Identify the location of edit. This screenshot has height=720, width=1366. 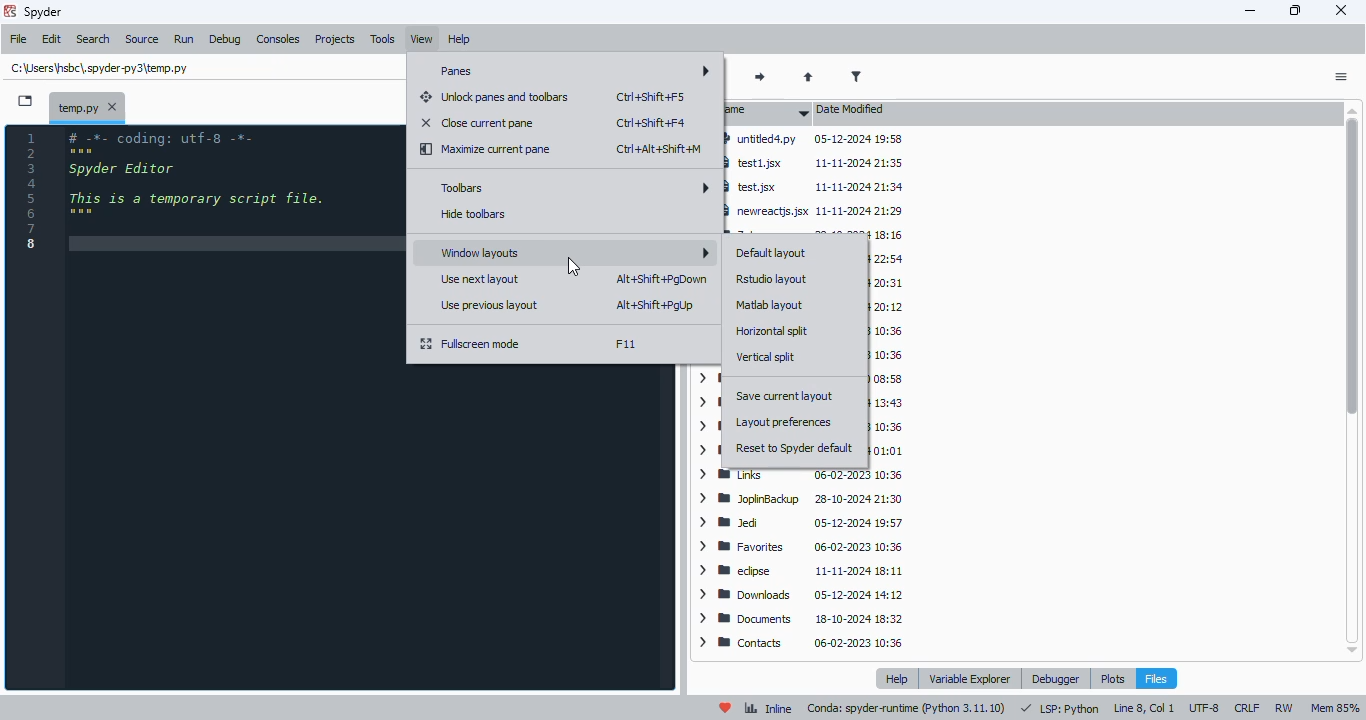
(52, 40).